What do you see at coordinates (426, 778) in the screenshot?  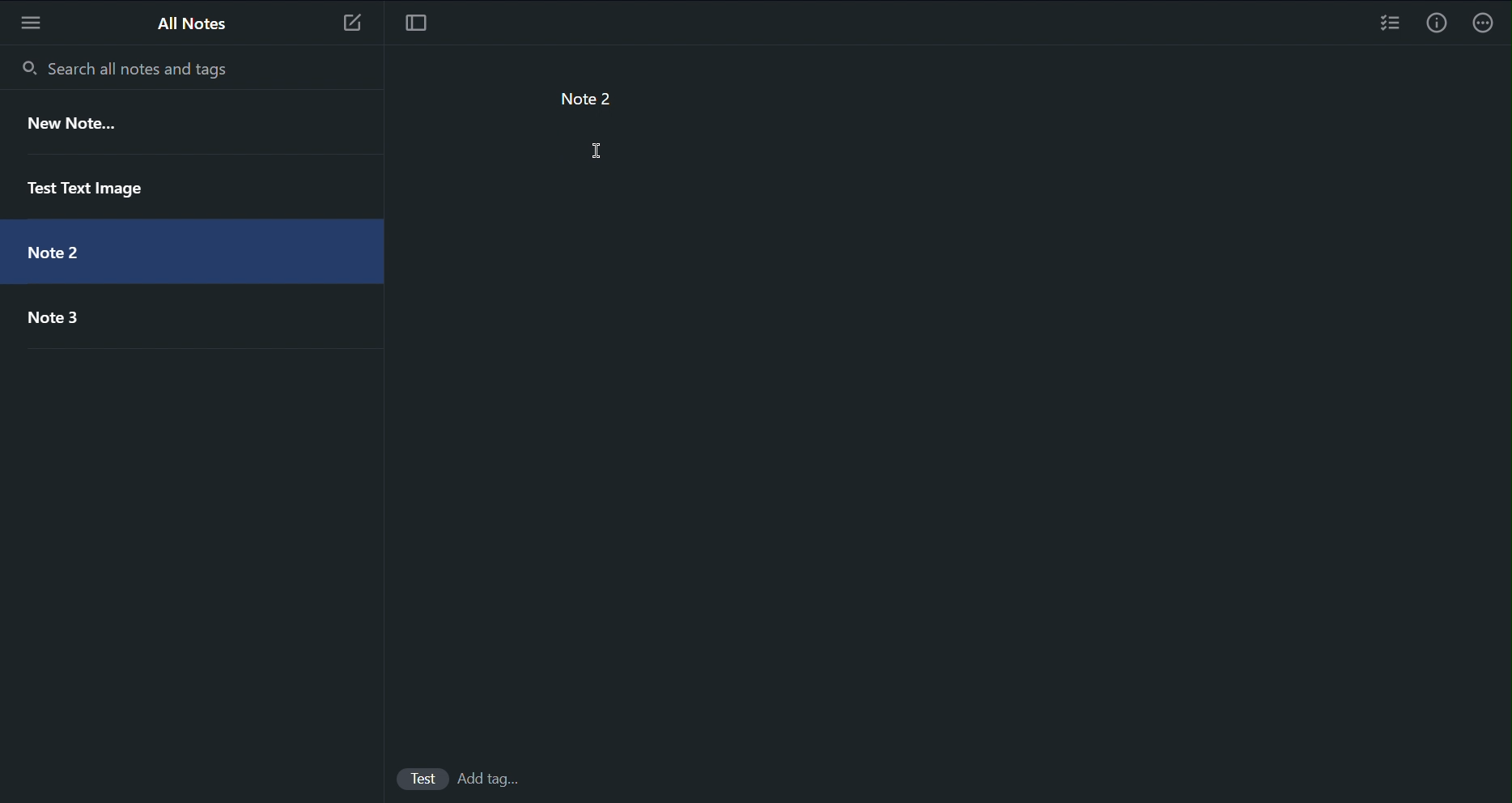 I see `test` at bounding box center [426, 778].